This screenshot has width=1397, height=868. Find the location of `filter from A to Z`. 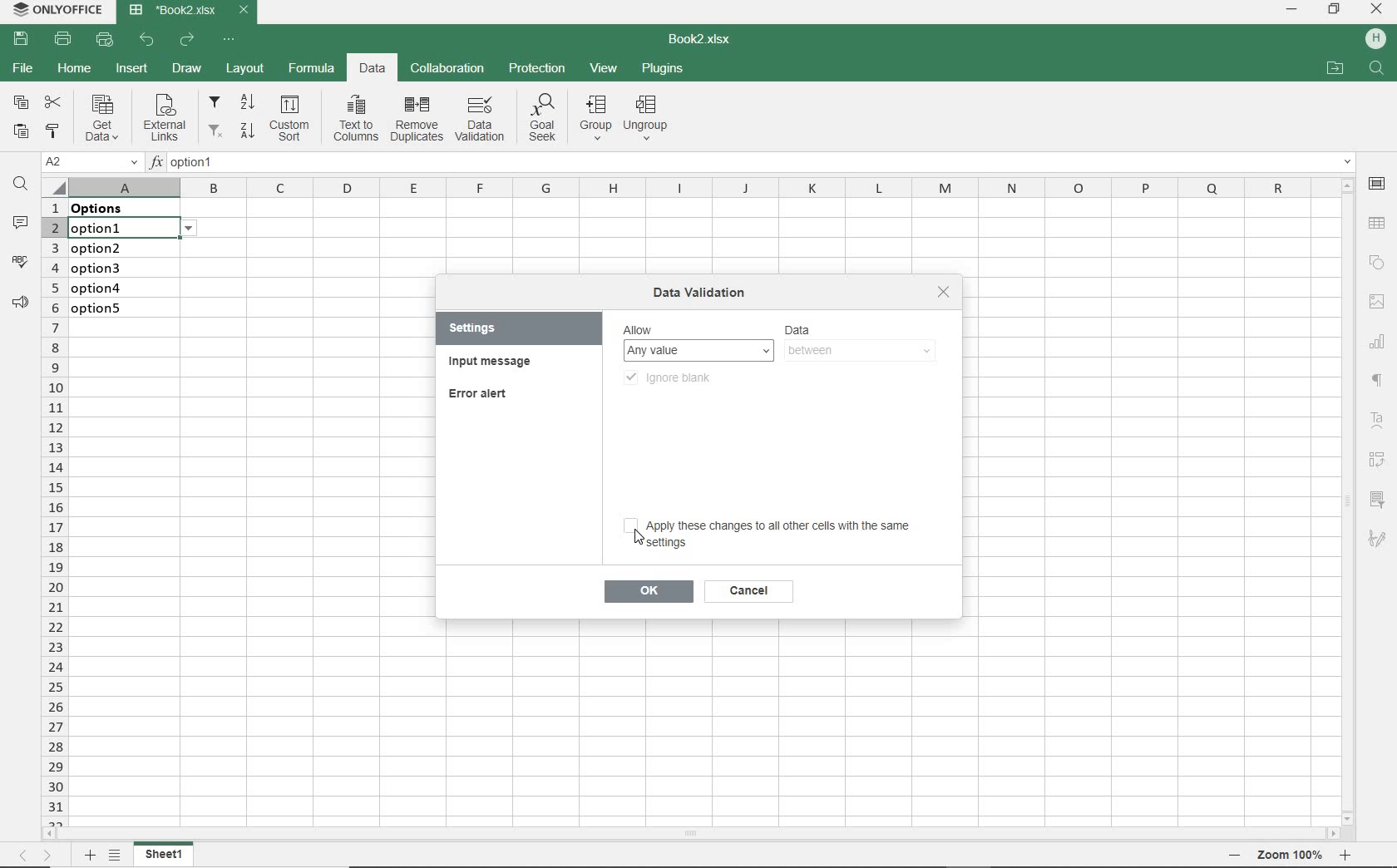

filter from A to Z is located at coordinates (233, 102).